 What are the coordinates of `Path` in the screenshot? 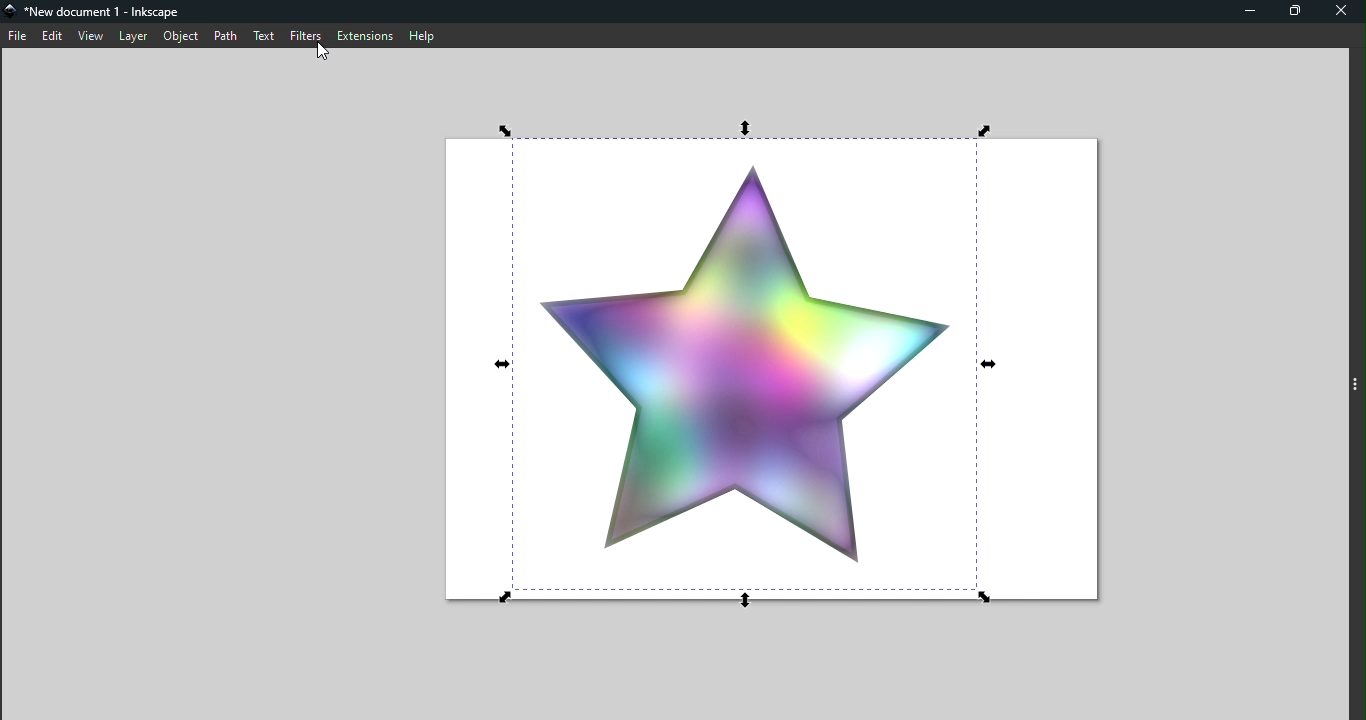 It's located at (224, 36).